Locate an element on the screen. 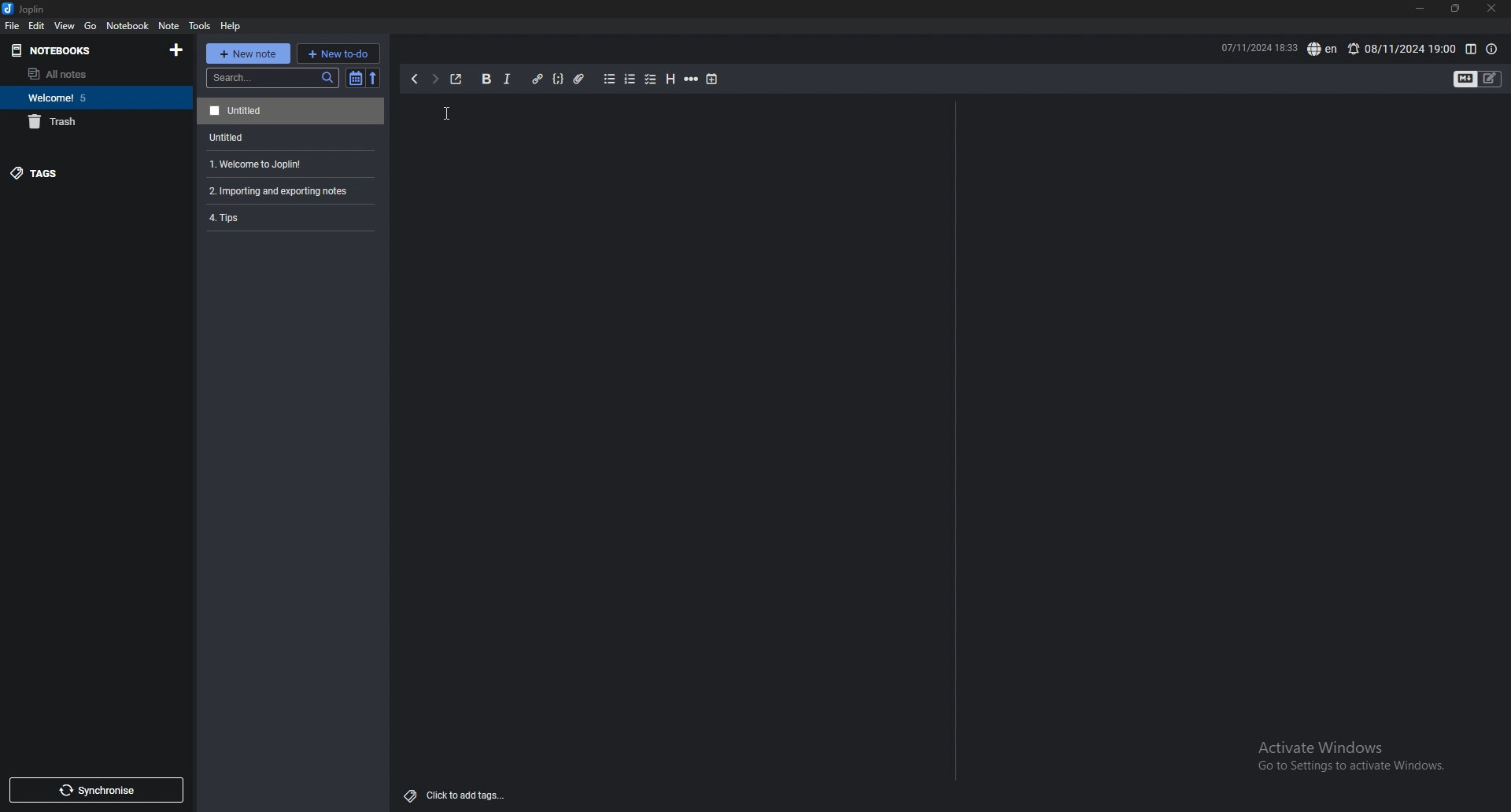 The width and height of the screenshot is (1511, 812). file is located at coordinates (13, 26).